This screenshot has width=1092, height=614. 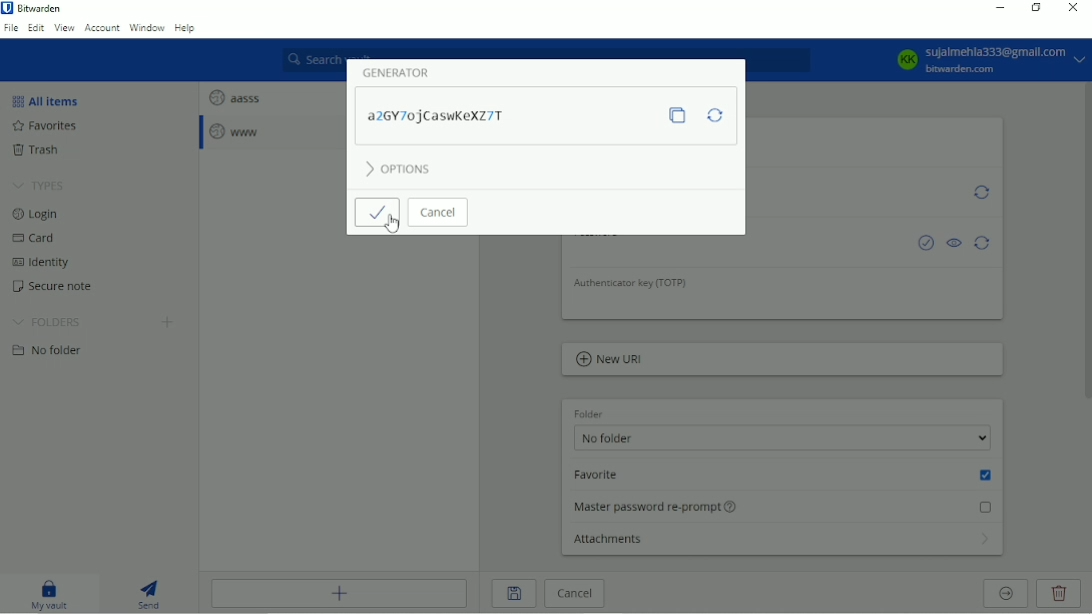 What do you see at coordinates (148, 28) in the screenshot?
I see `Window` at bounding box center [148, 28].